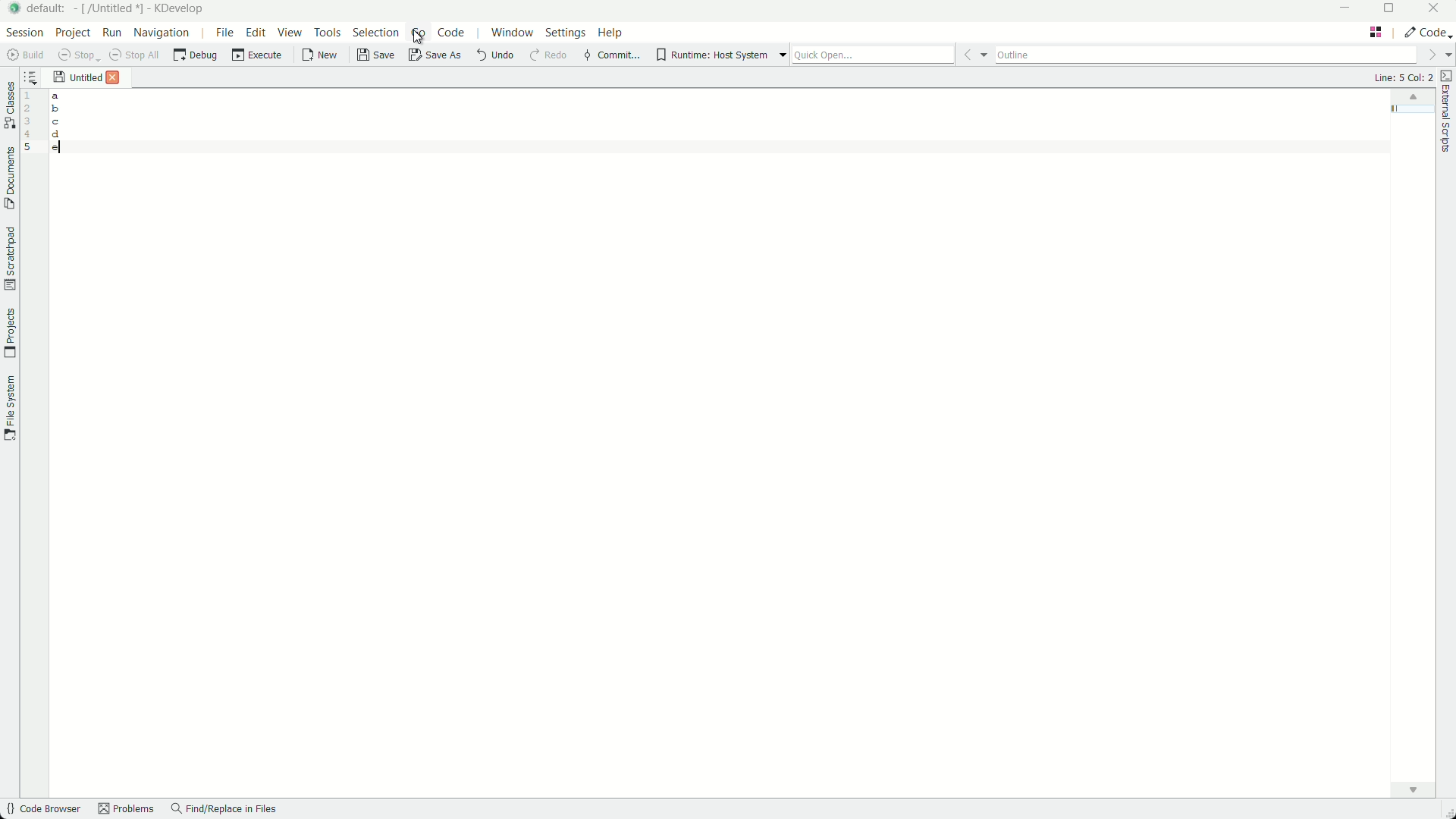  Describe the element at coordinates (59, 76) in the screenshot. I see `save icon` at that location.